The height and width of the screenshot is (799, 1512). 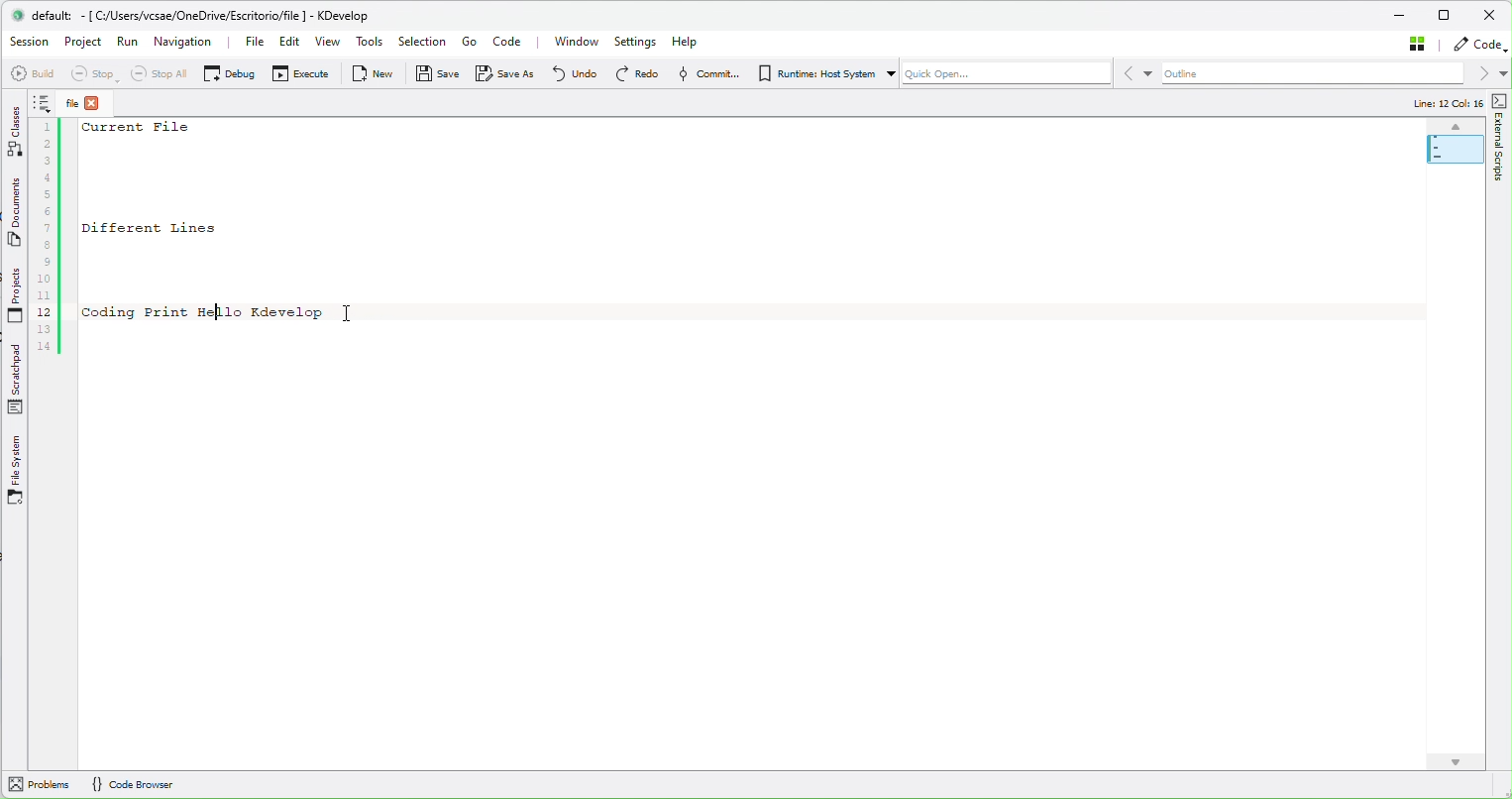 What do you see at coordinates (351, 309) in the screenshot?
I see `cursor` at bounding box center [351, 309].